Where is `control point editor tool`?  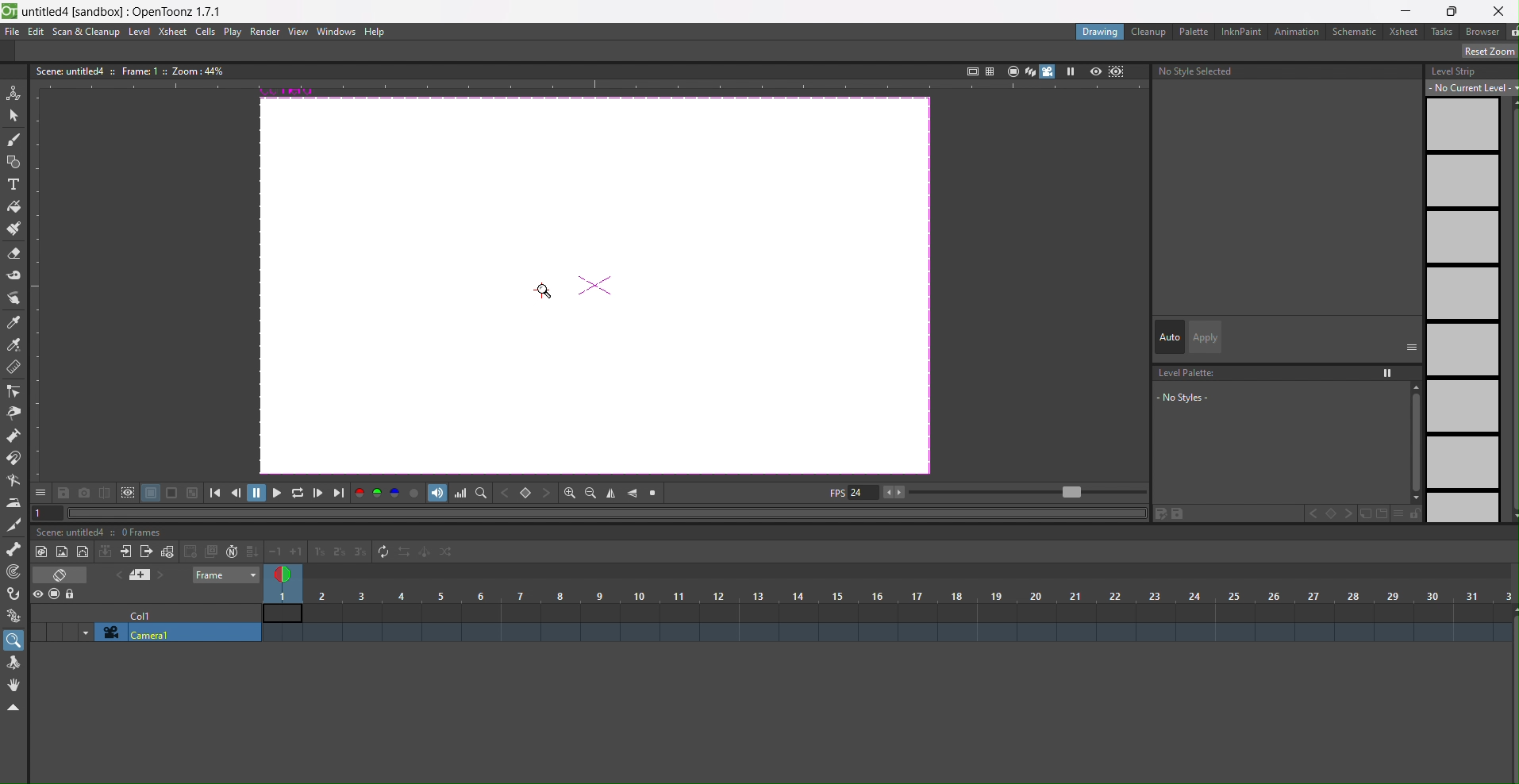
control point editor tool is located at coordinates (15, 391).